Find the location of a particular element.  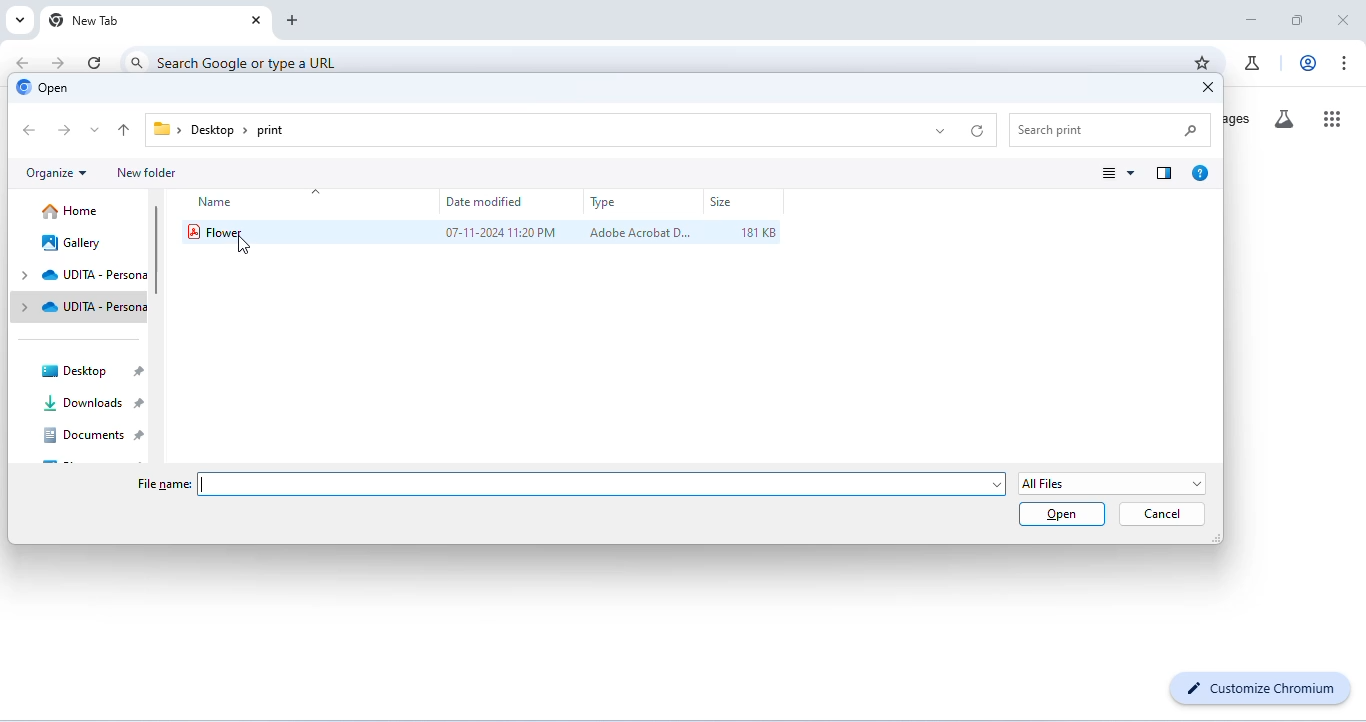

google apps is located at coordinates (1331, 119).